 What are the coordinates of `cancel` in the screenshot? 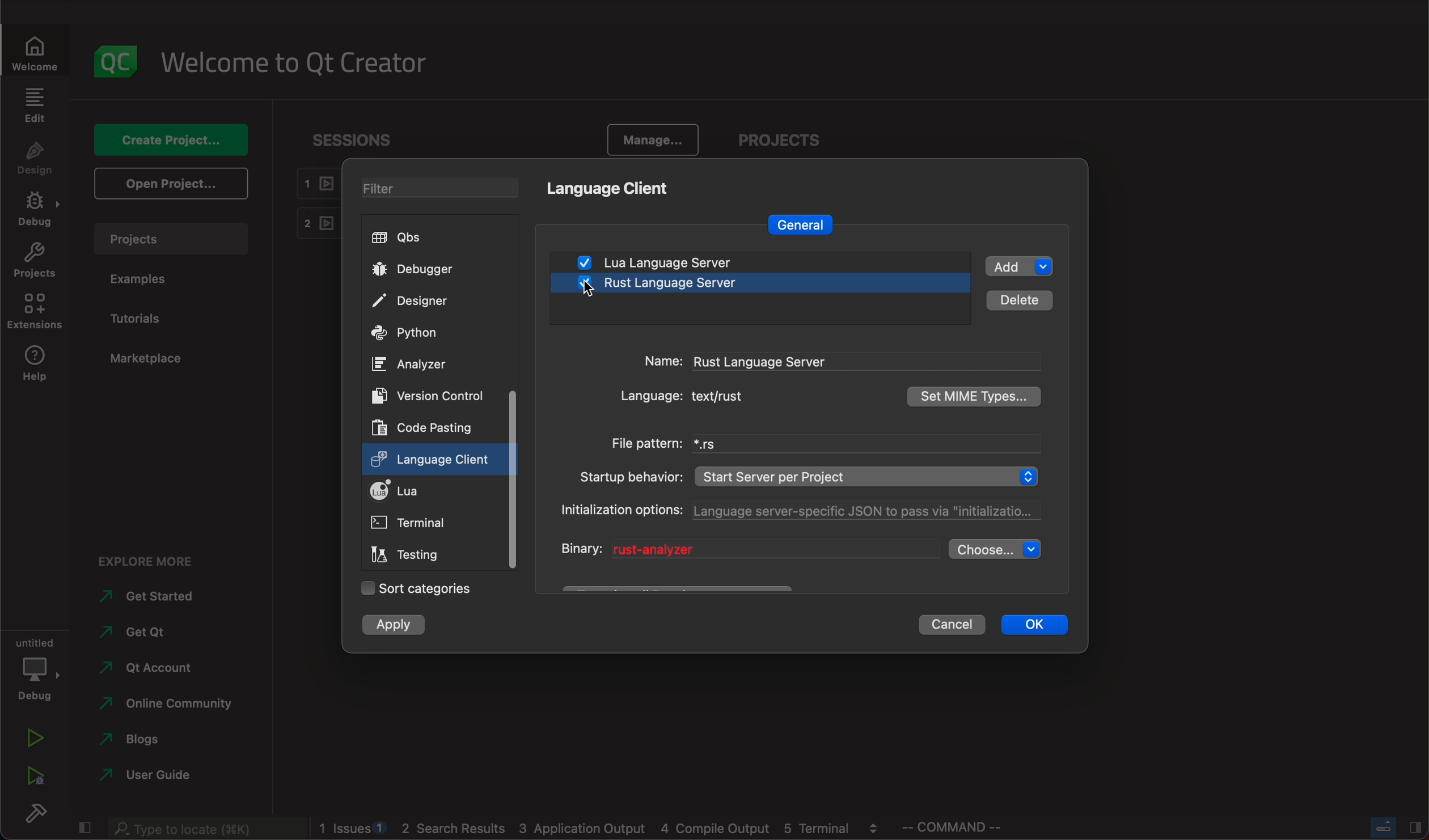 It's located at (958, 626).